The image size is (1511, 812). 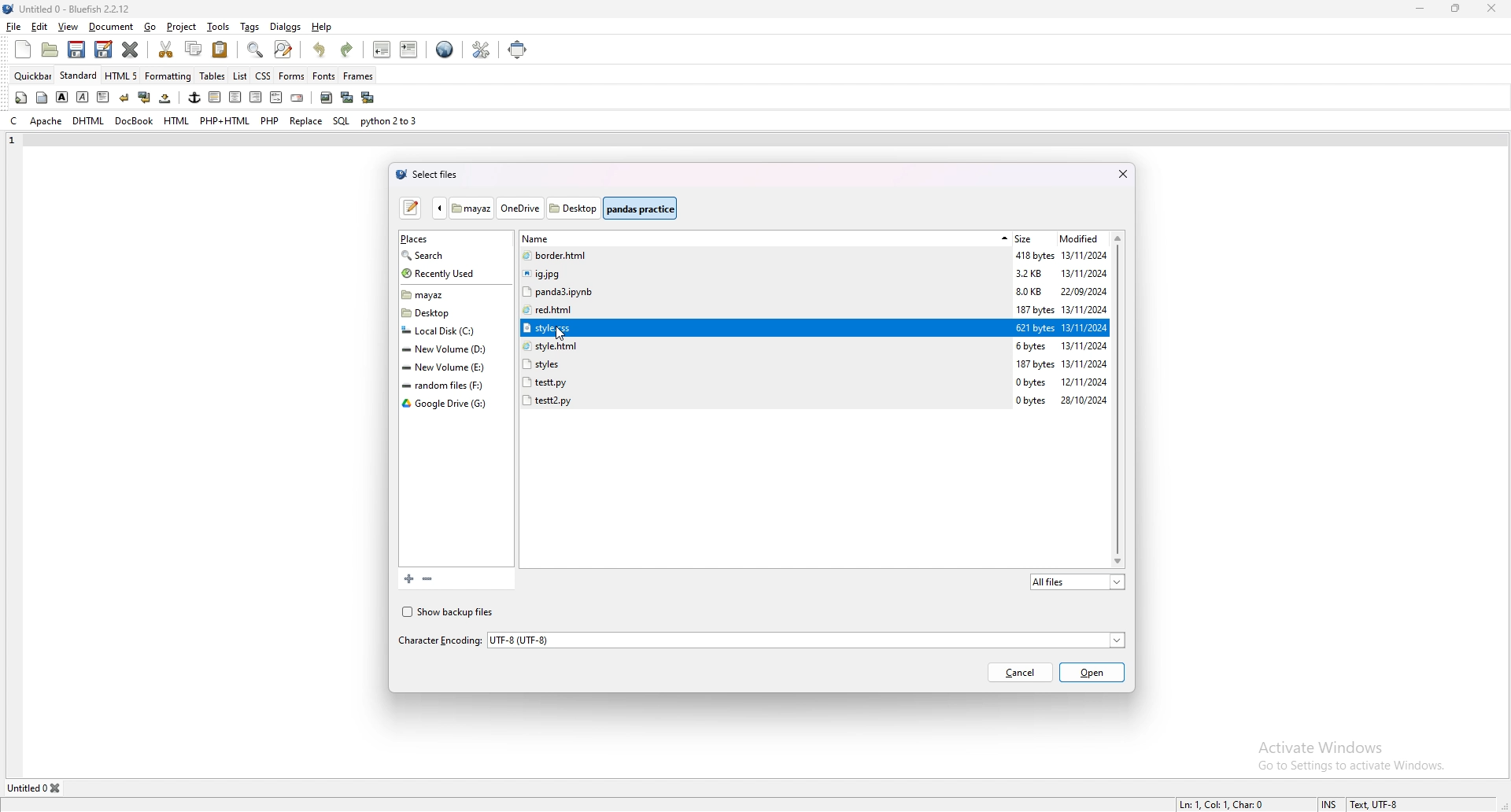 I want to click on advanced find and replace, so click(x=284, y=49).